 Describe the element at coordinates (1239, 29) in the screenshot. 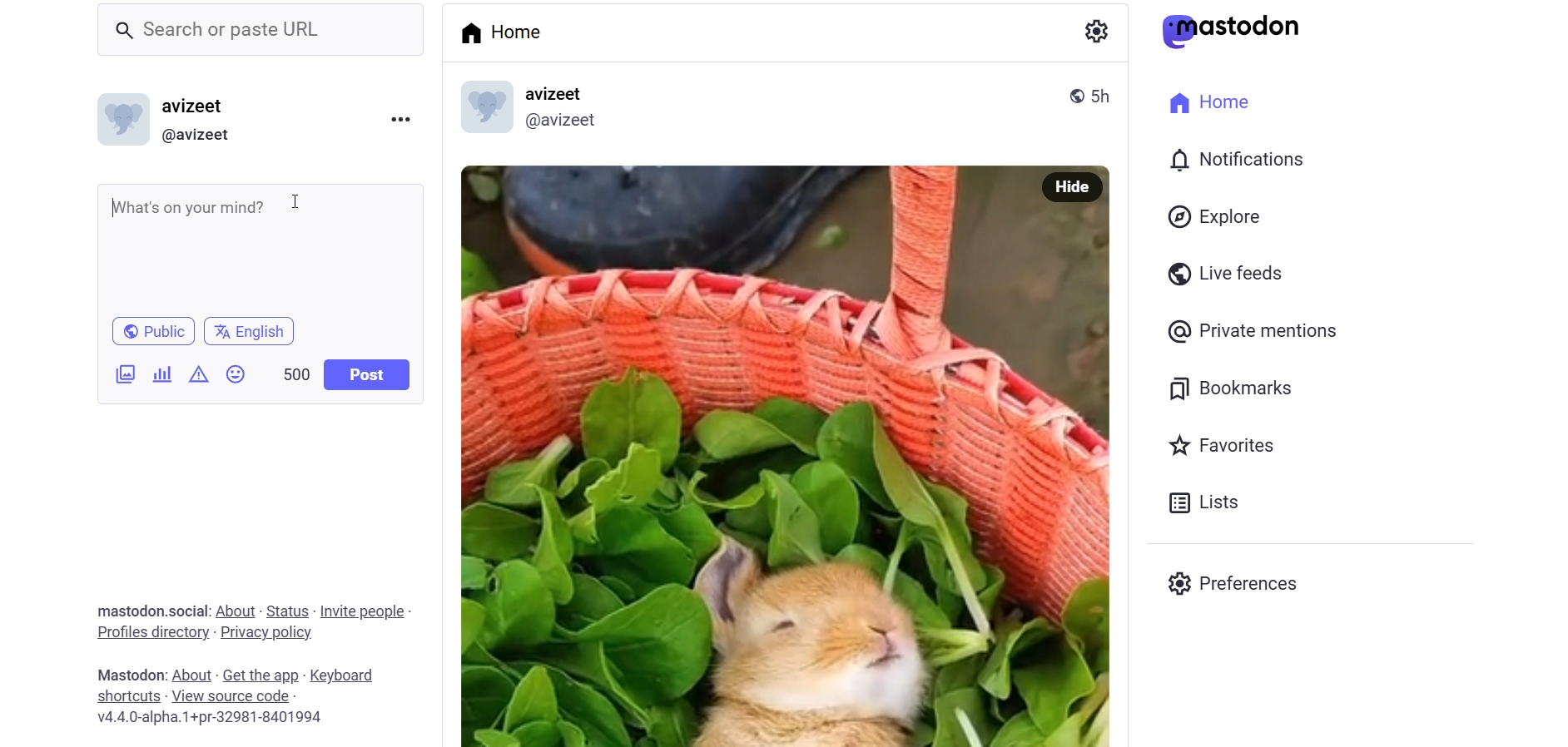

I see `mastodon` at that location.